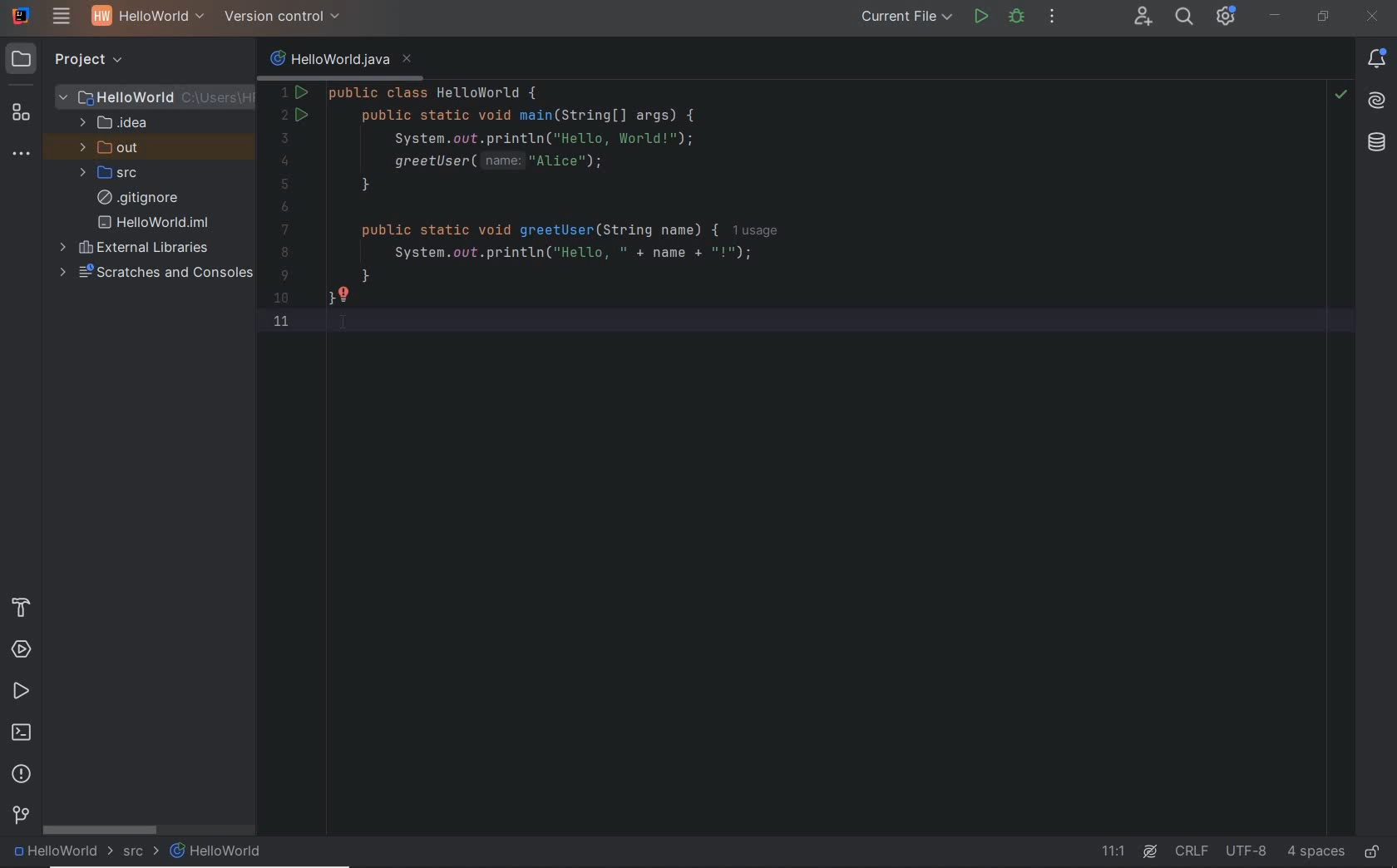 The height and width of the screenshot is (868, 1397). Describe the element at coordinates (1113, 851) in the screenshot. I see `11.1(go to line)` at that location.